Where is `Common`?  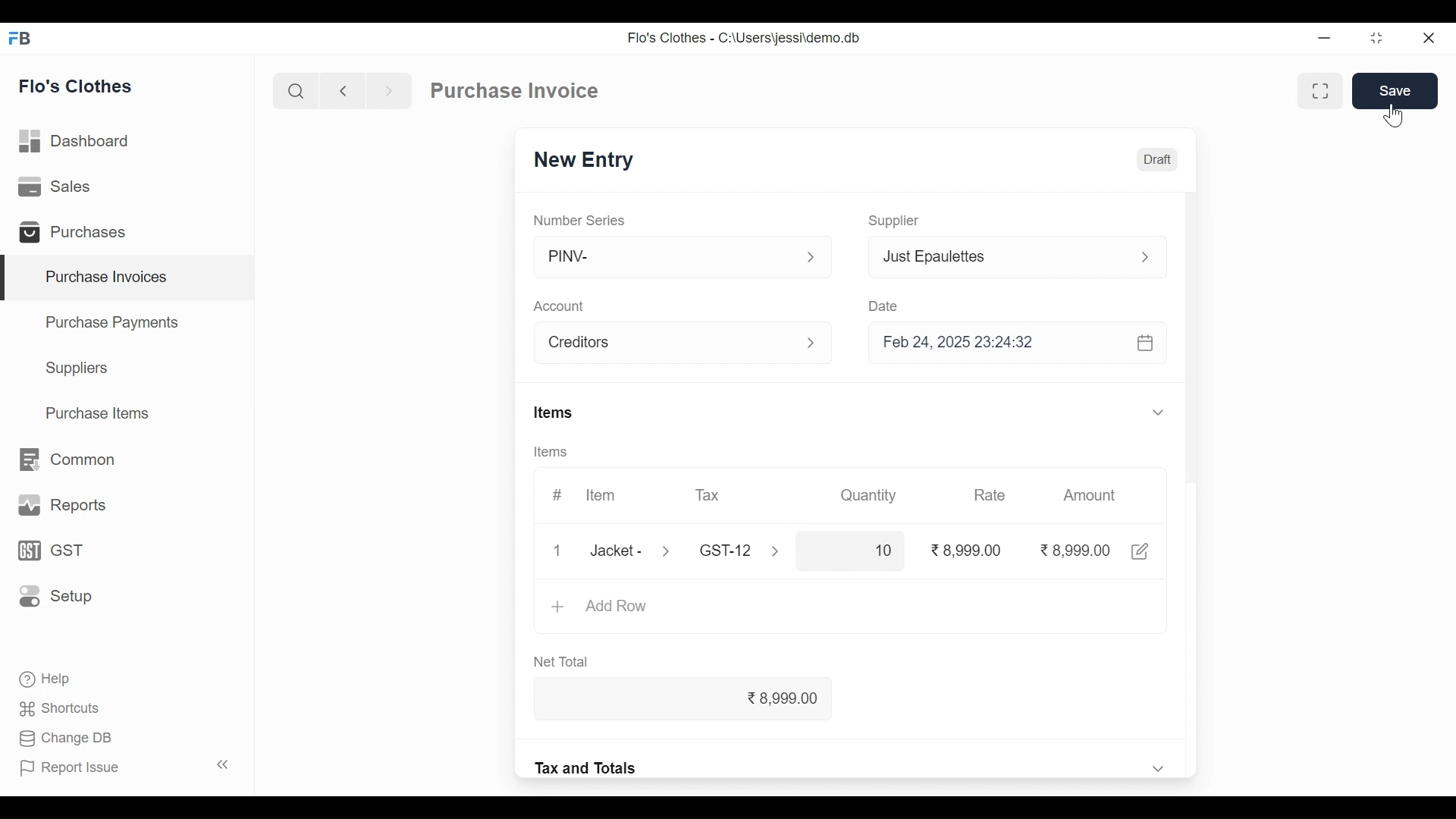
Common is located at coordinates (70, 459).